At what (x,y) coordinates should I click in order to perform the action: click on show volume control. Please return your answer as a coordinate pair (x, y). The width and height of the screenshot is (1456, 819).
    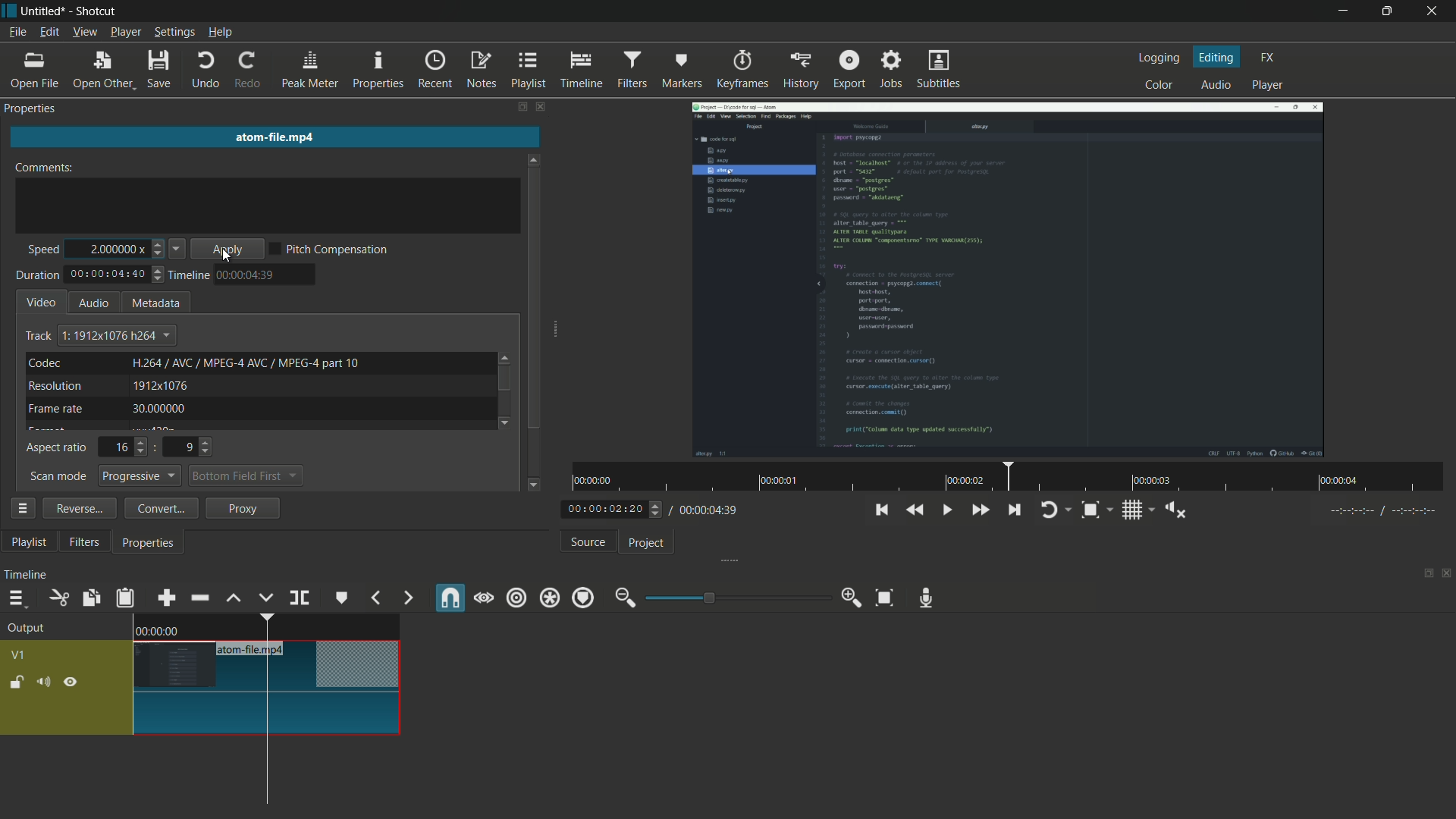
    Looking at the image, I should click on (1171, 510).